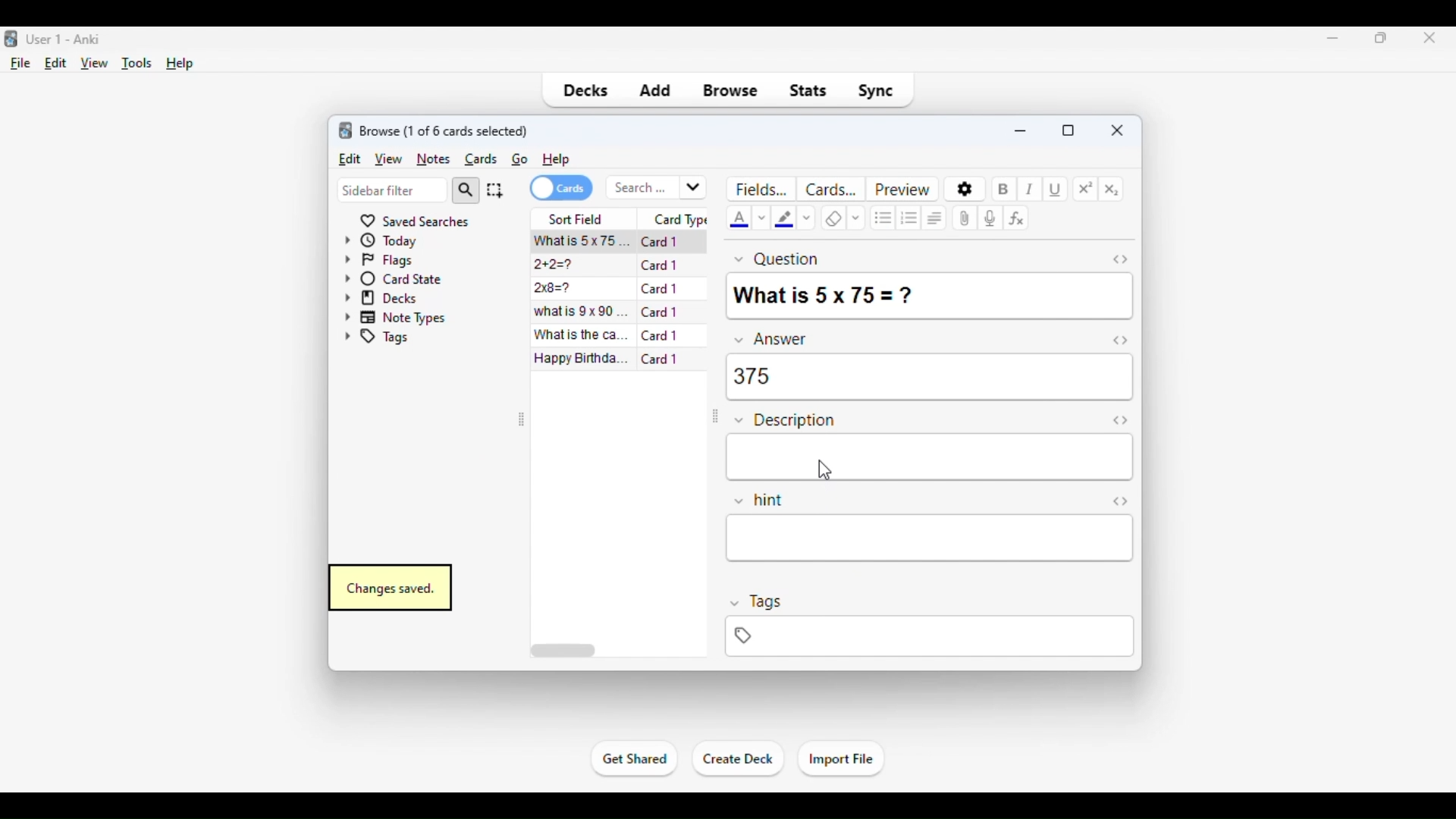 The image size is (1456, 819). Describe the element at coordinates (660, 312) in the screenshot. I see `card 1` at that location.